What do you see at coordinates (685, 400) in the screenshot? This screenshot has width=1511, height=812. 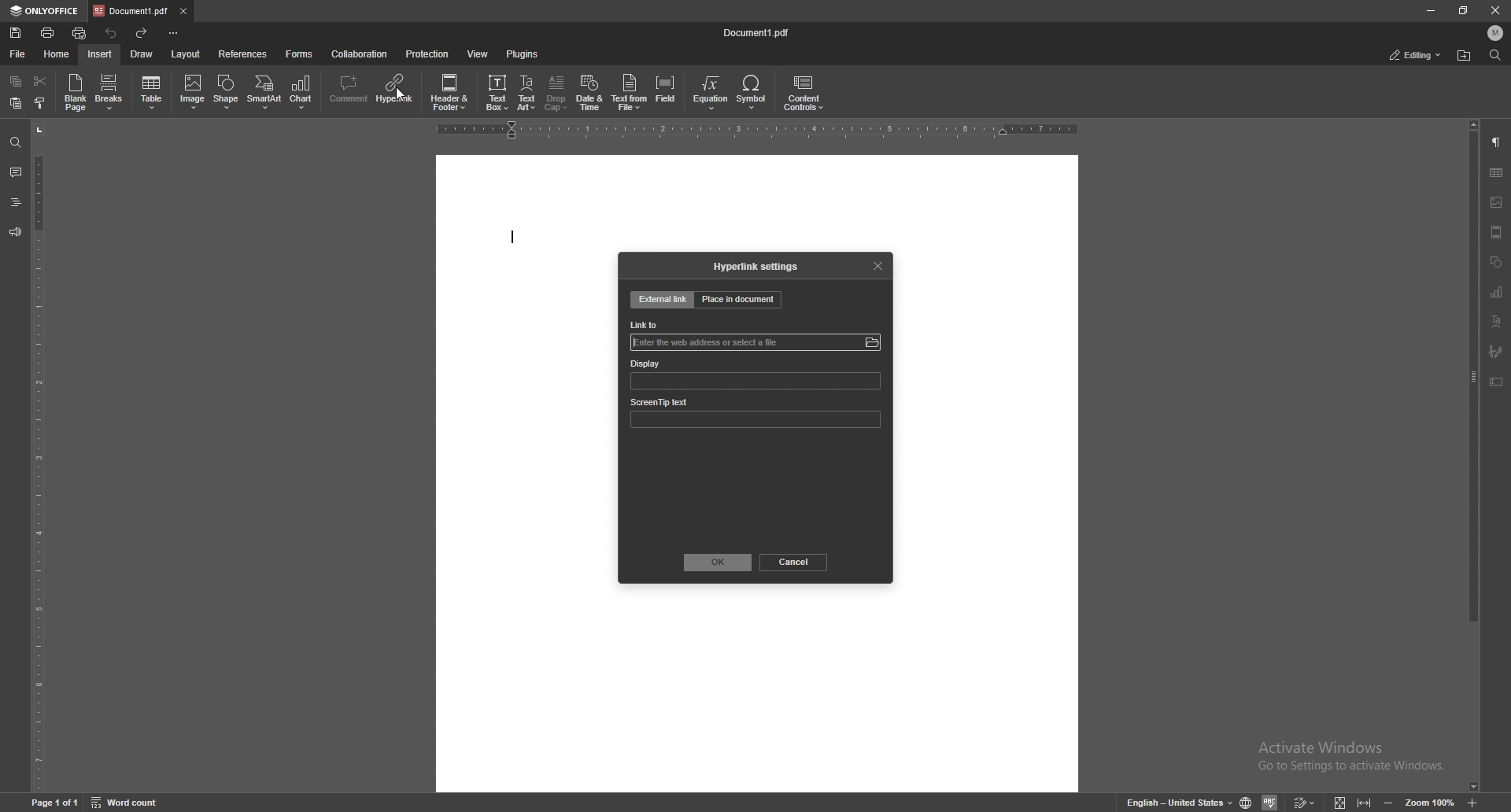 I see `screentip text` at bounding box center [685, 400].